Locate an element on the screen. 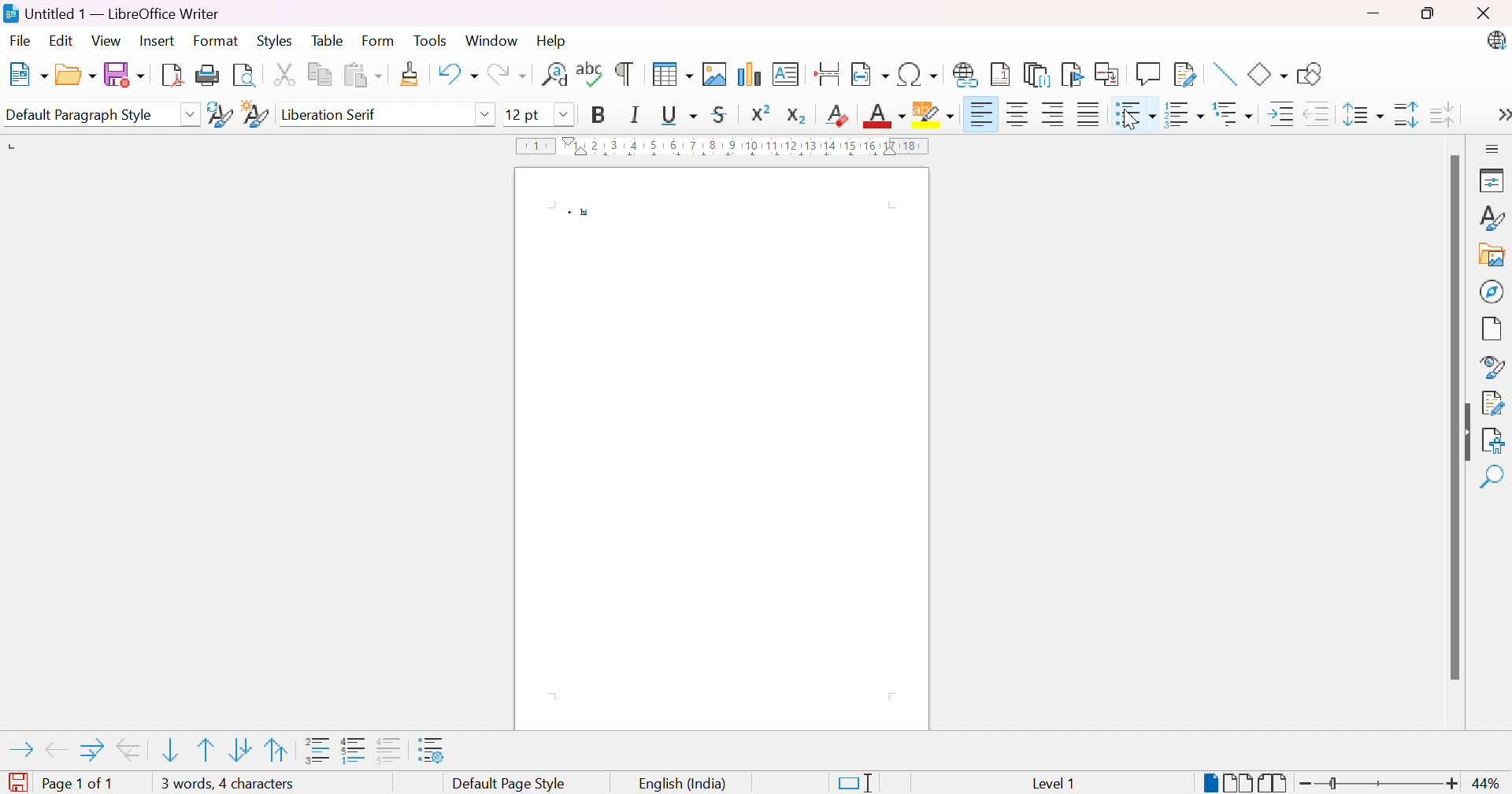 This screenshot has height=794, width=1512. 1 word, 1 character is located at coordinates (223, 785).